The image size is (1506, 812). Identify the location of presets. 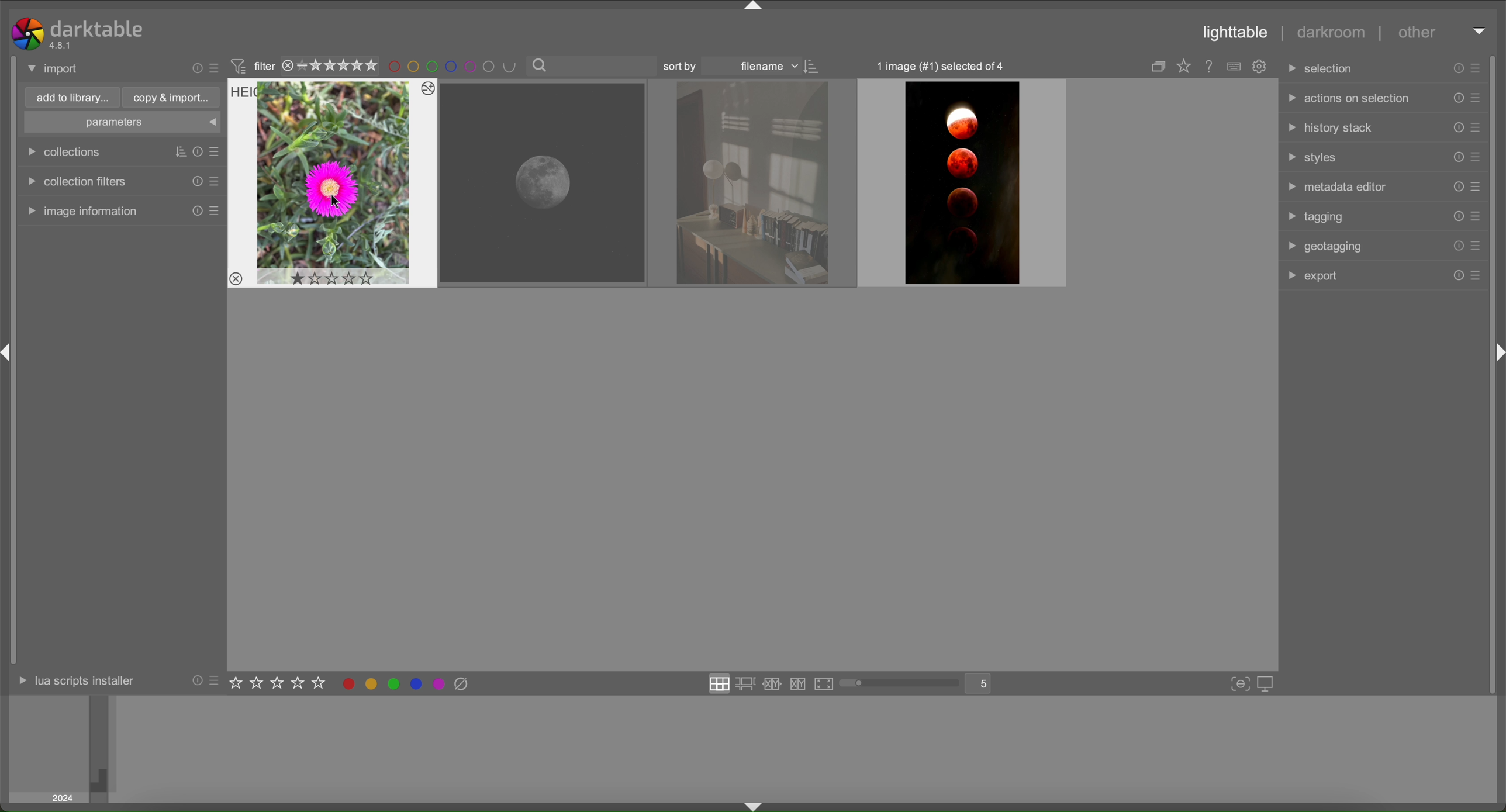
(1477, 247).